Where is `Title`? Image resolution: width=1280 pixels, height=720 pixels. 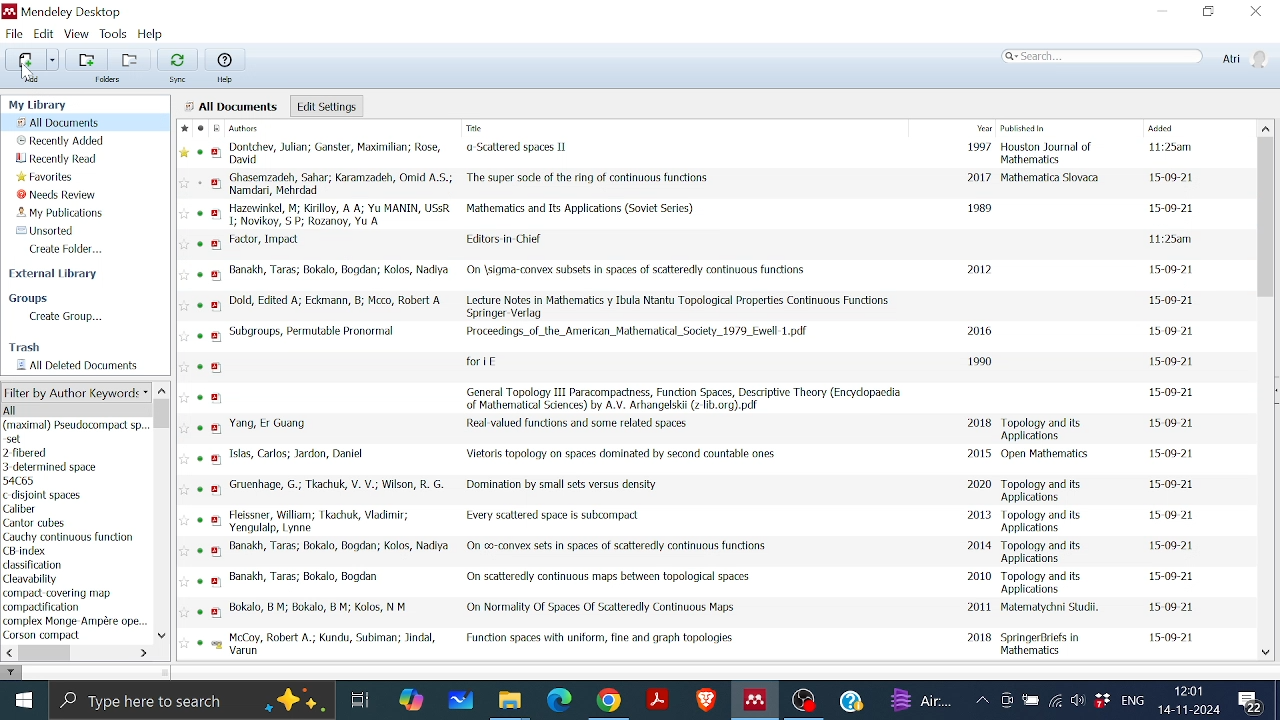
Title is located at coordinates (617, 544).